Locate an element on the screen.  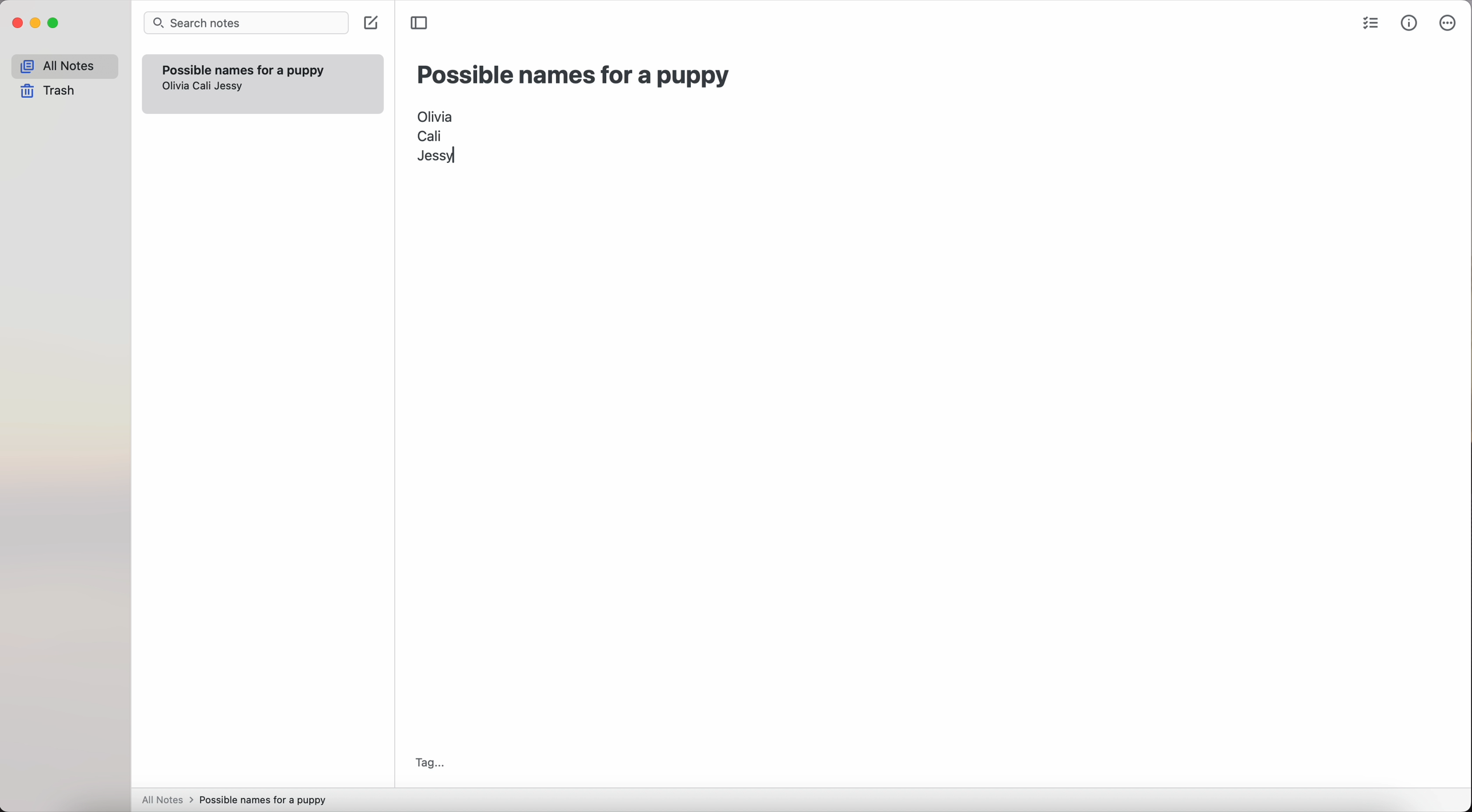
create note is located at coordinates (370, 24).